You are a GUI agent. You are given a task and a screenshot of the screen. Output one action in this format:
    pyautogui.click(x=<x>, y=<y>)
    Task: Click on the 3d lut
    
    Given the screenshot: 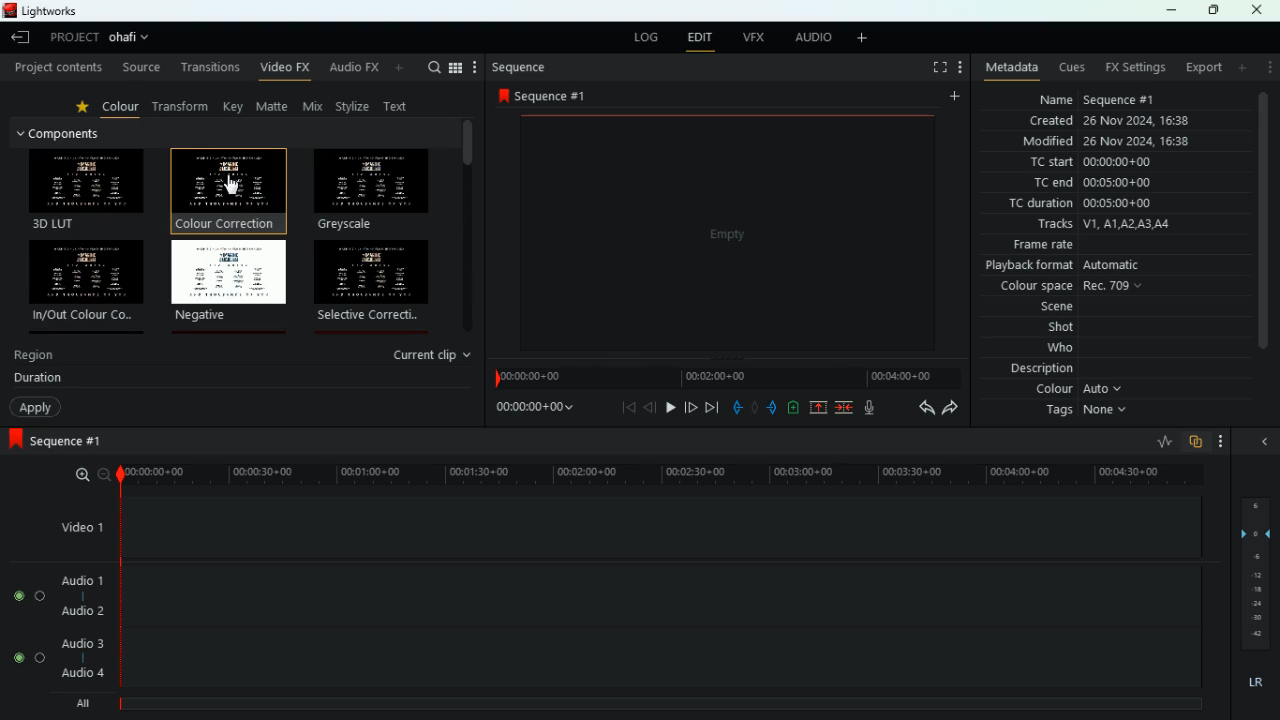 What is the action you would take?
    pyautogui.click(x=88, y=189)
    